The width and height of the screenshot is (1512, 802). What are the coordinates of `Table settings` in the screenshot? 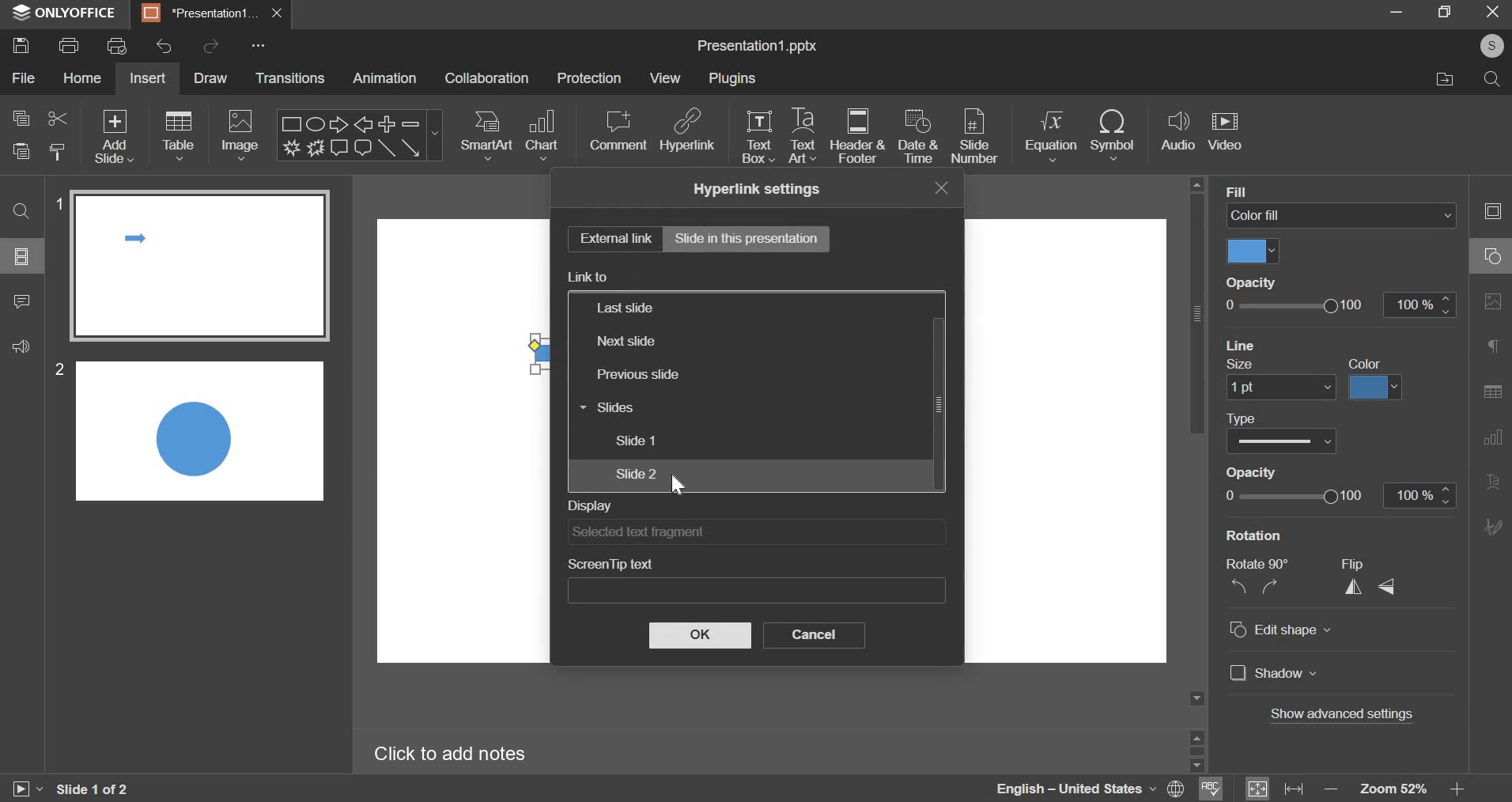 It's located at (1496, 392).